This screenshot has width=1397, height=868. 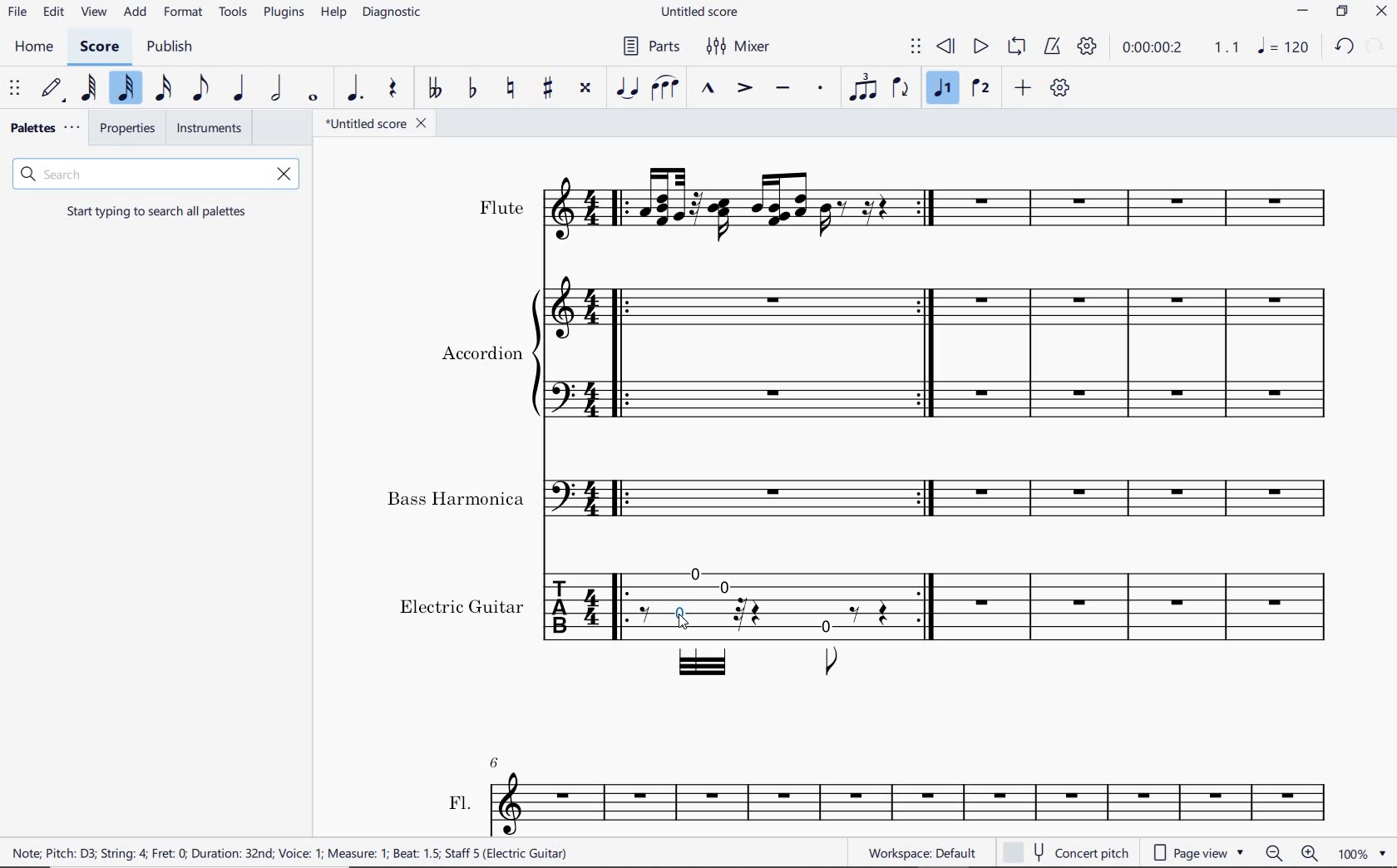 I want to click on help, so click(x=333, y=13).